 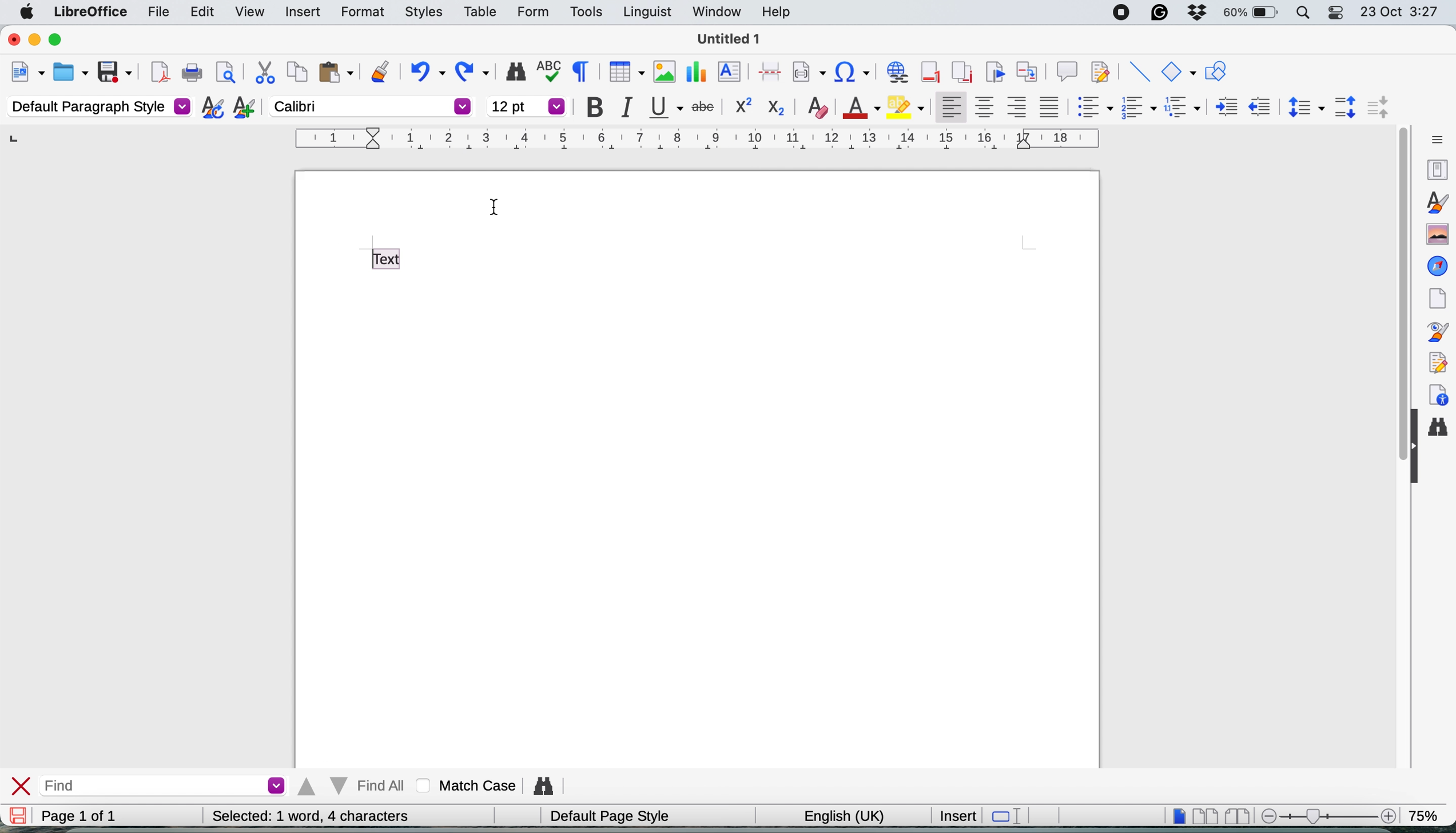 I want to click on new, so click(x=27, y=73).